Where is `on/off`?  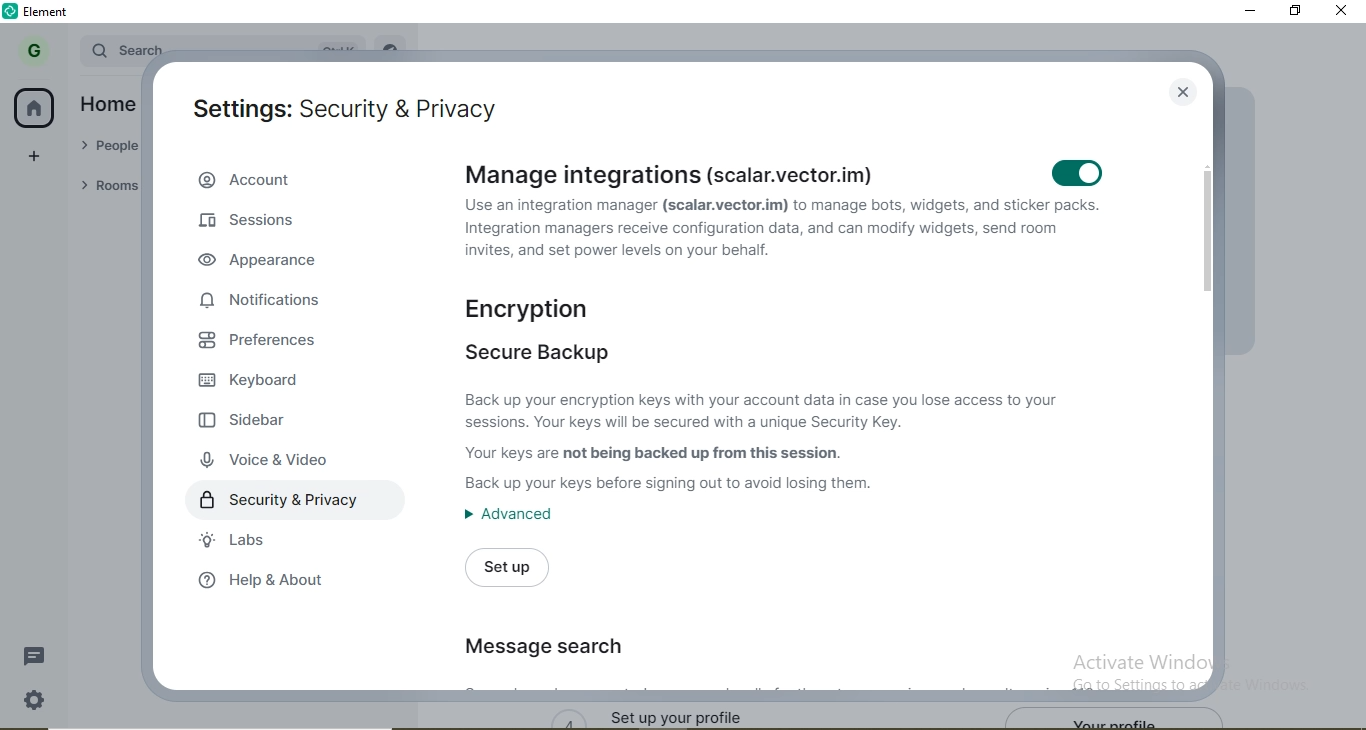 on/off is located at coordinates (1079, 173).